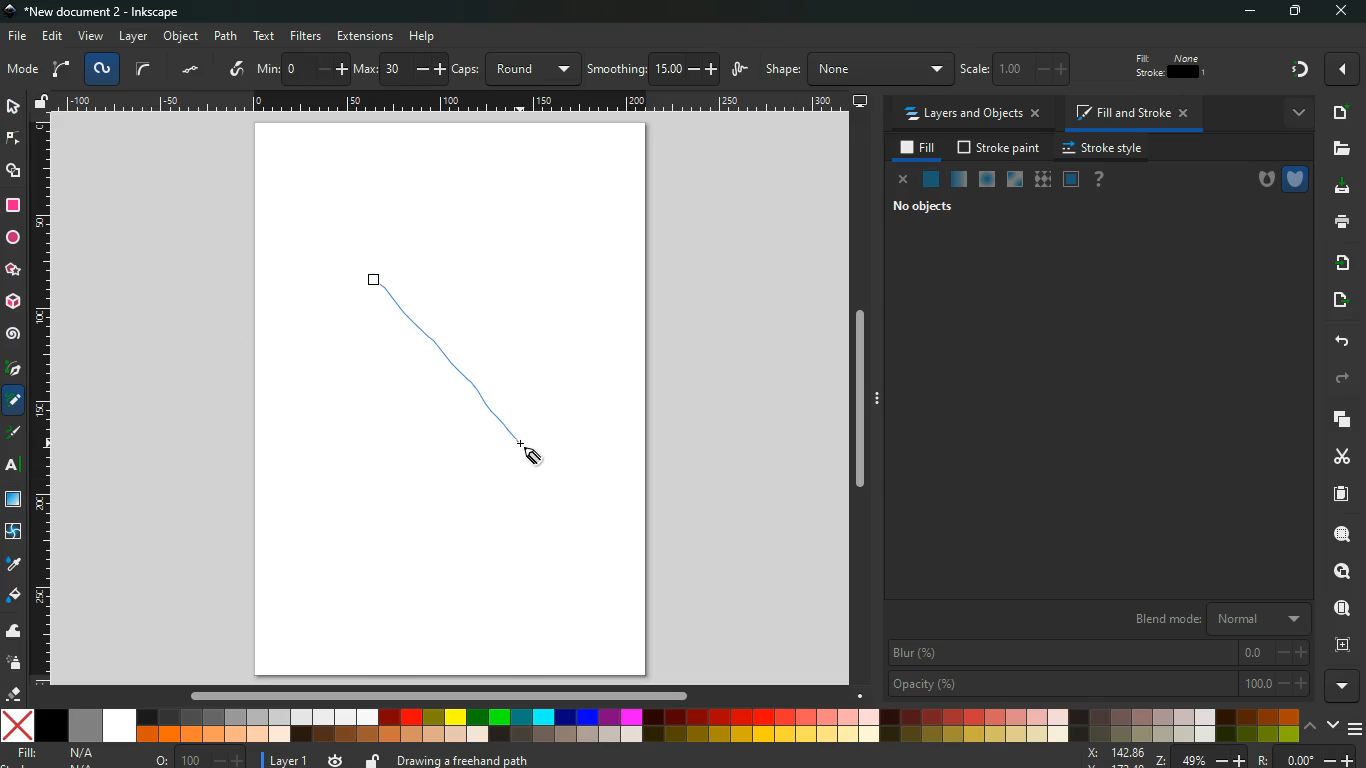 The width and height of the screenshot is (1366, 768). What do you see at coordinates (43, 102) in the screenshot?
I see `unlock` at bounding box center [43, 102].